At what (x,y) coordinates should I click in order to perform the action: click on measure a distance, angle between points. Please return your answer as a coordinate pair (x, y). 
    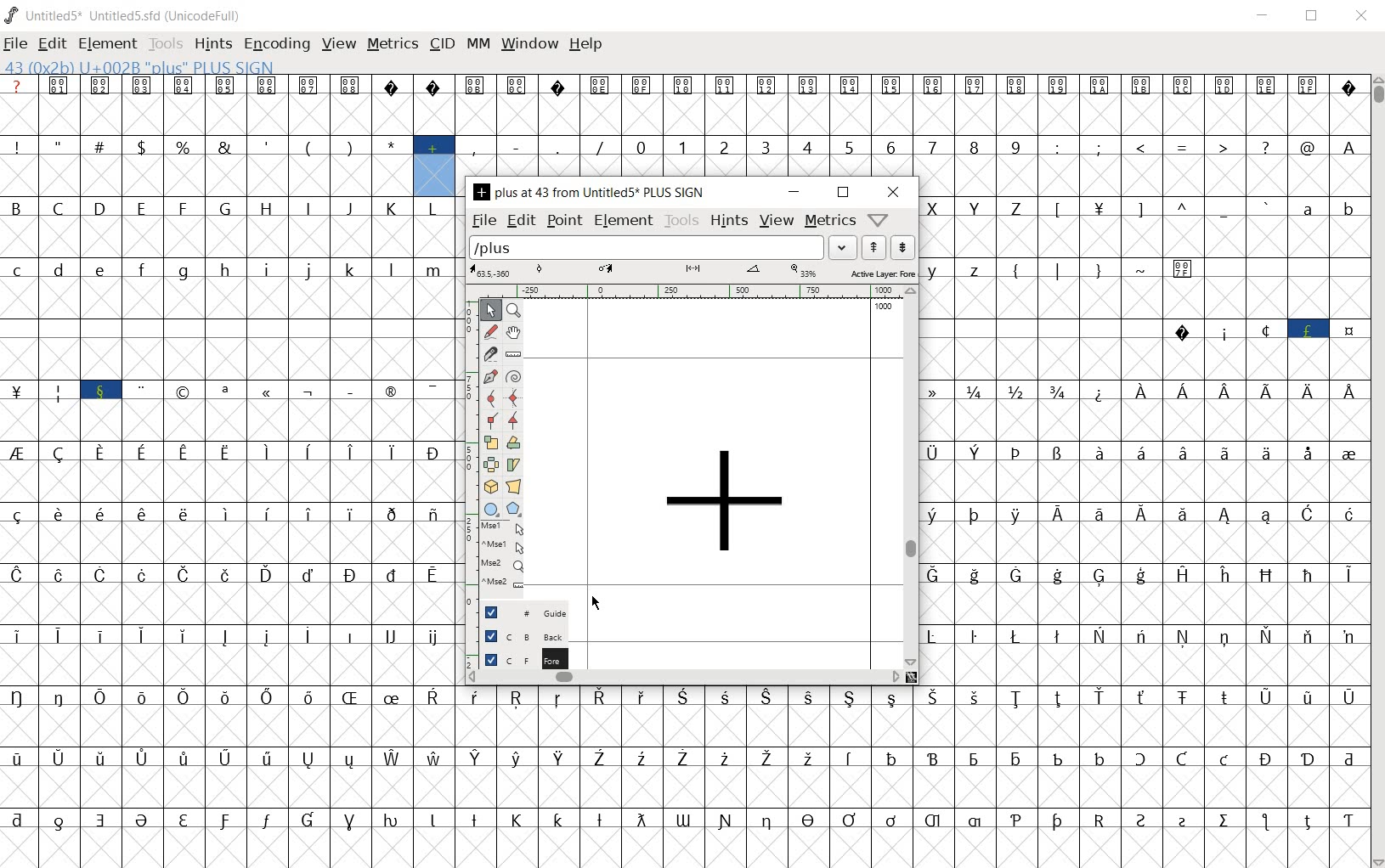
    Looking at the image, I should click on (513, 354).